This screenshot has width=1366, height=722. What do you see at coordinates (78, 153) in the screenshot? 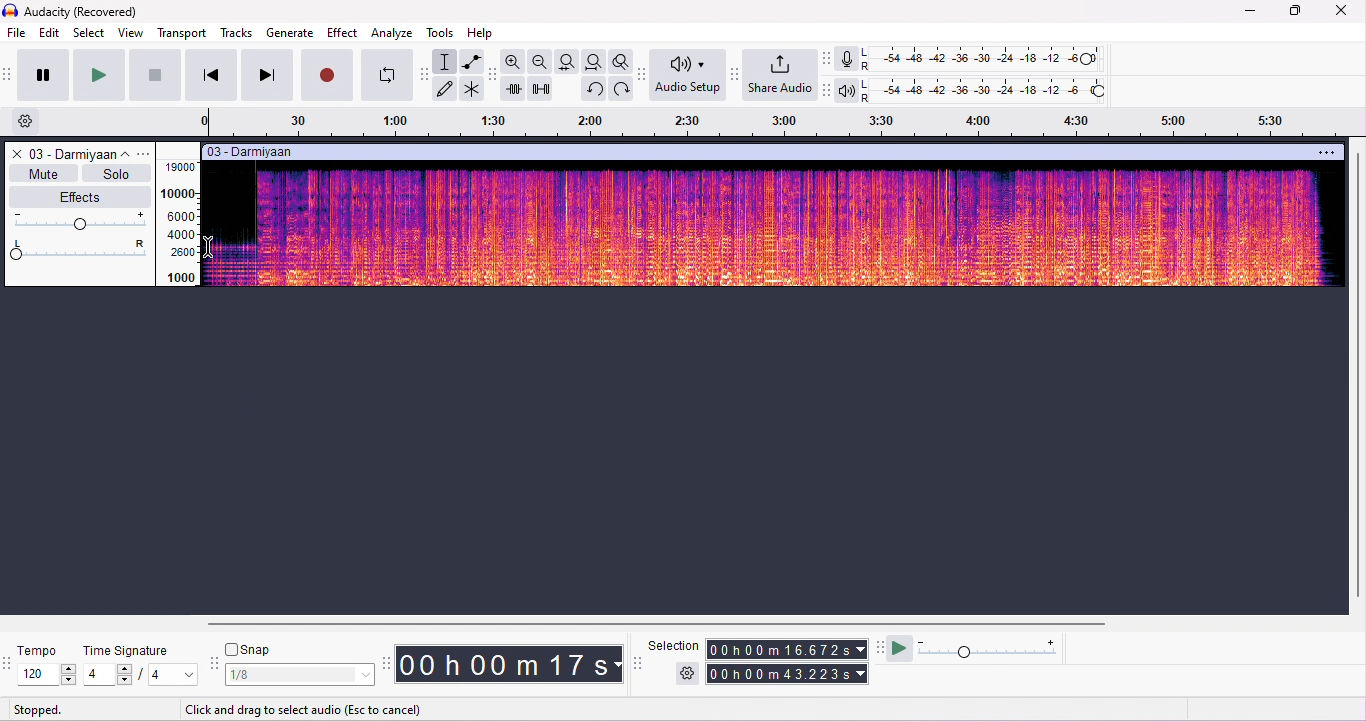
I see `track` at bounding box center [78, 153].